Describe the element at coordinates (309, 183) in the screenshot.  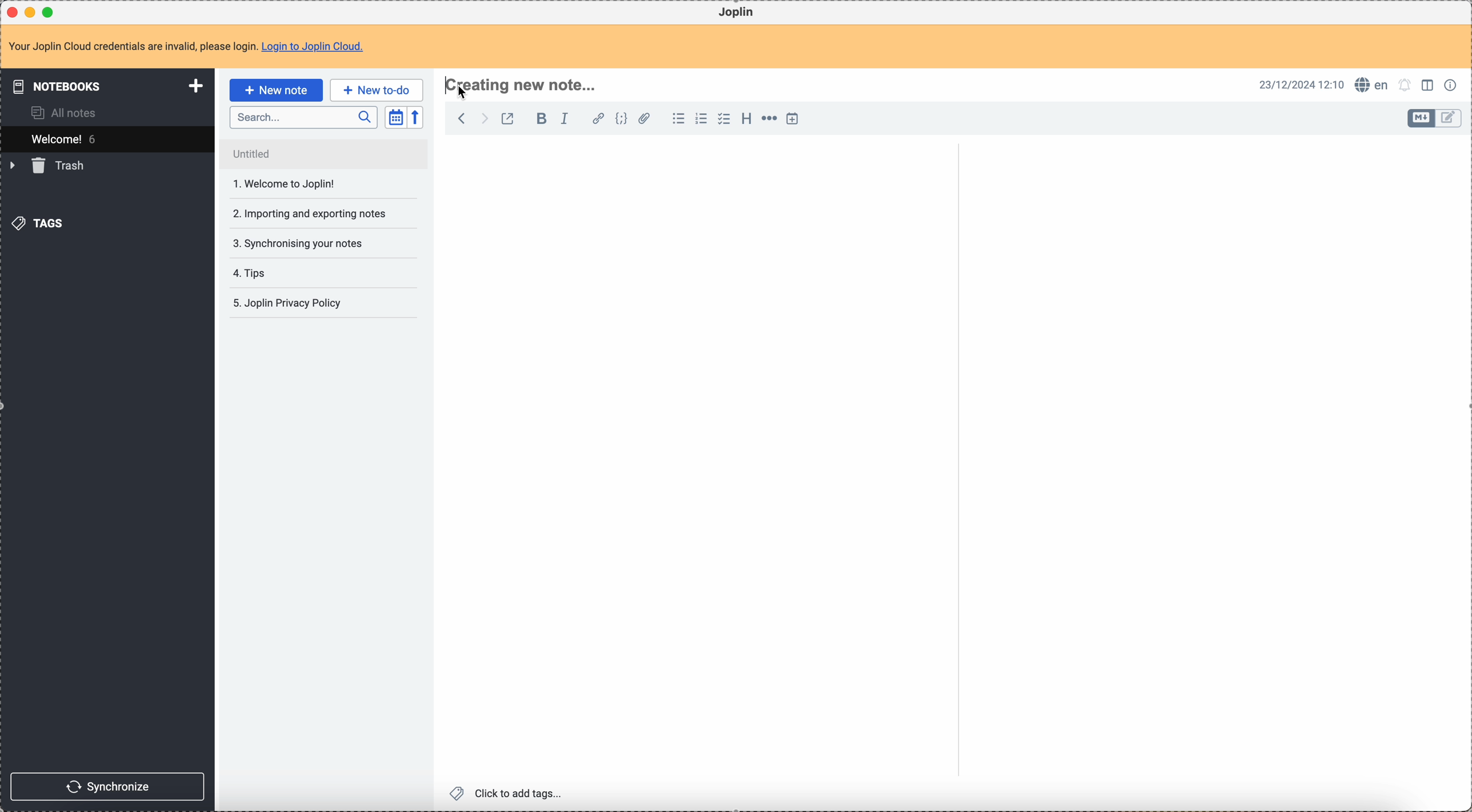
I see `importing and exporting notes` at that location.